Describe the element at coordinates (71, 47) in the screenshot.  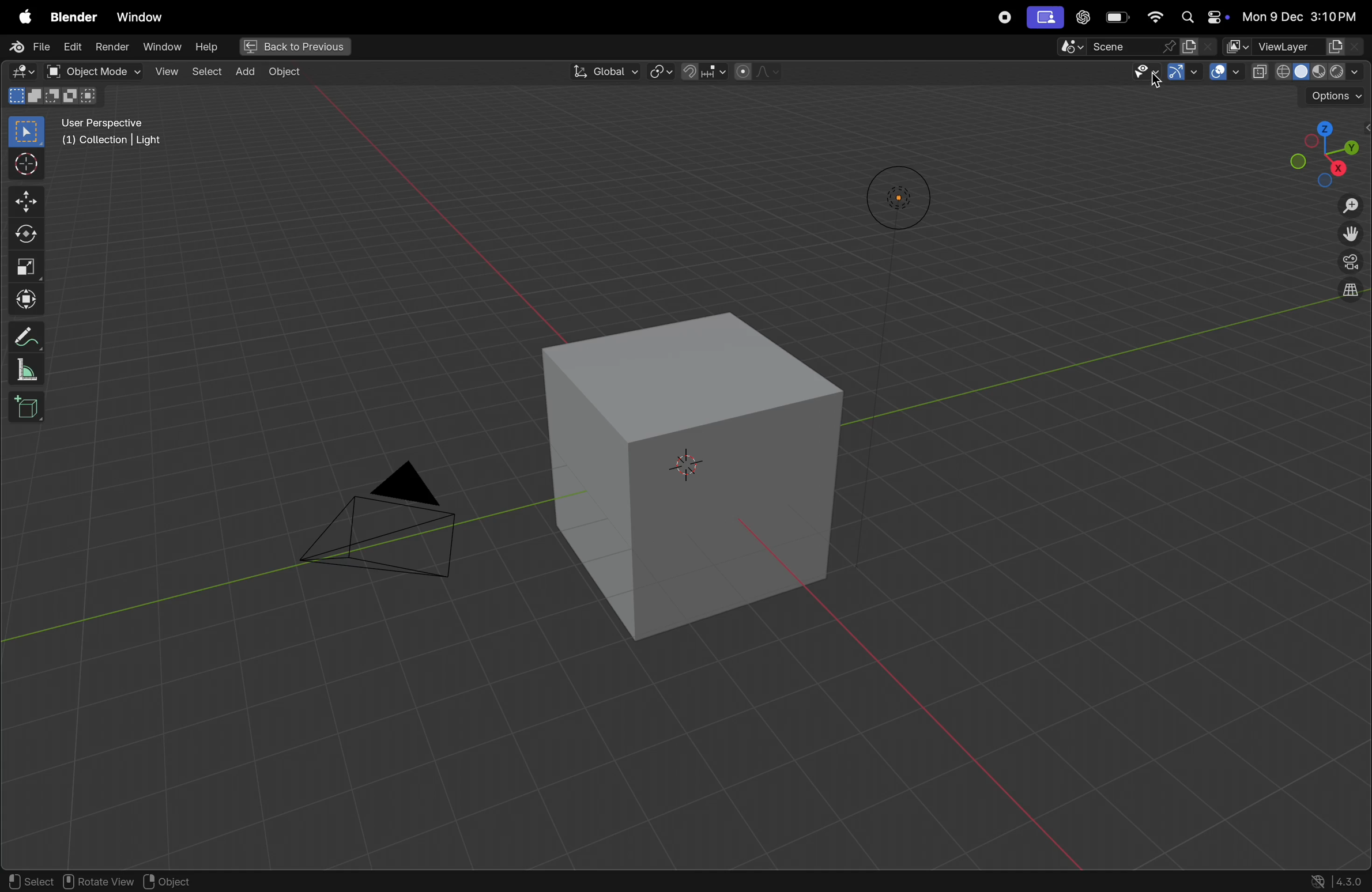
I see `edit` at that location.